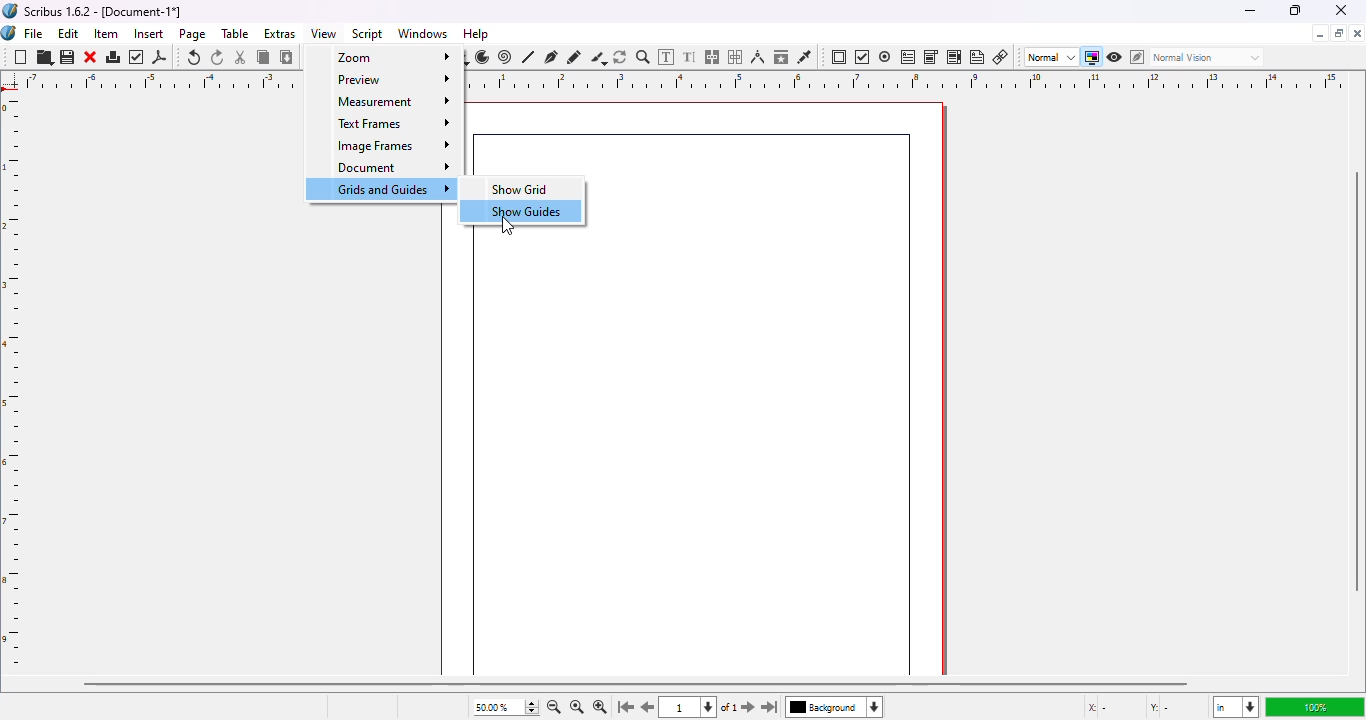 This screenshot has height=720, width=1366. What do you see at coordinates (385, 122) in the screenshot?
I see `text frames` at bounding box center [385, 122].